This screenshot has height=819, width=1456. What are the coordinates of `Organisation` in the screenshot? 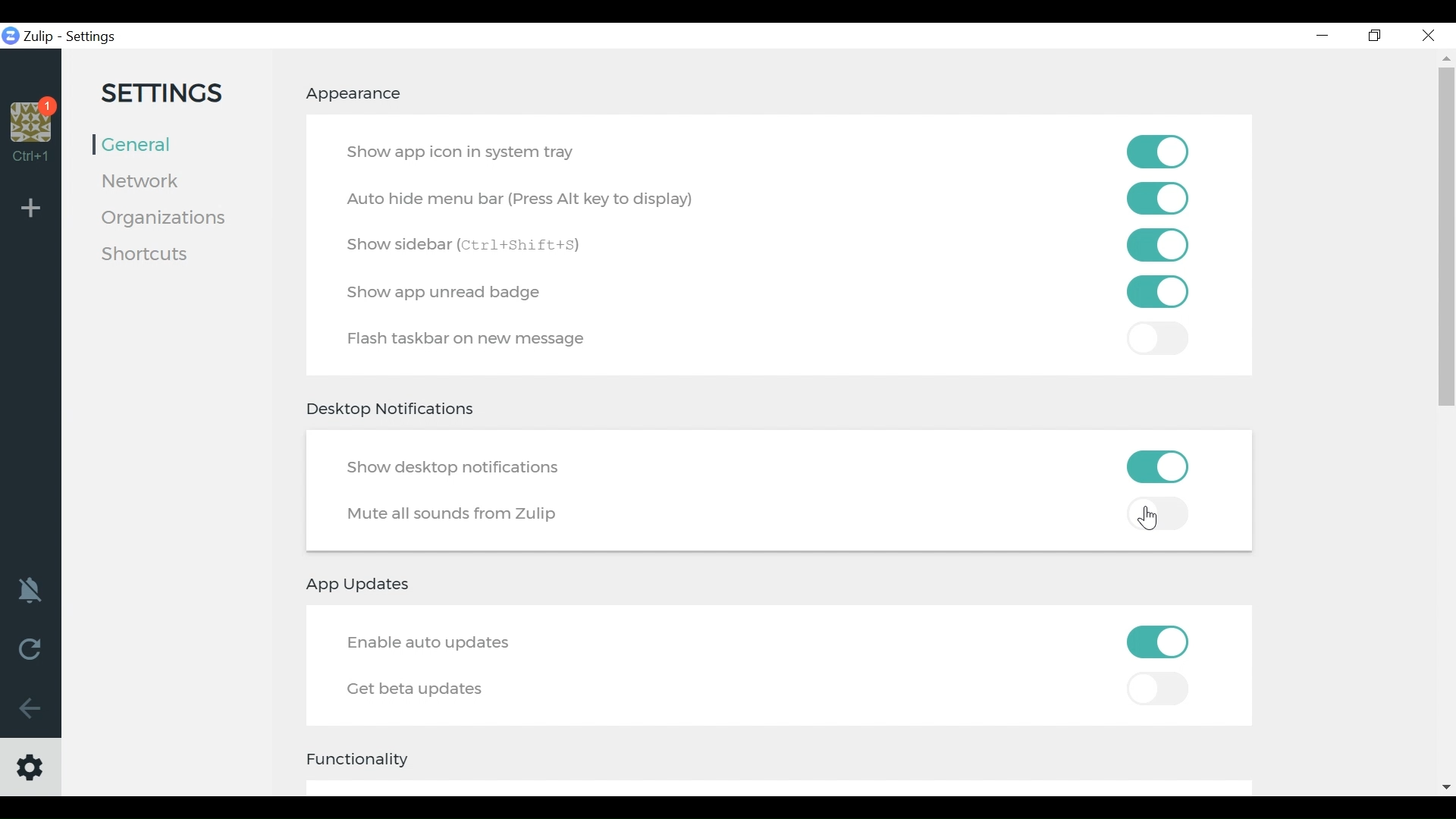 It's located at (33, 122).